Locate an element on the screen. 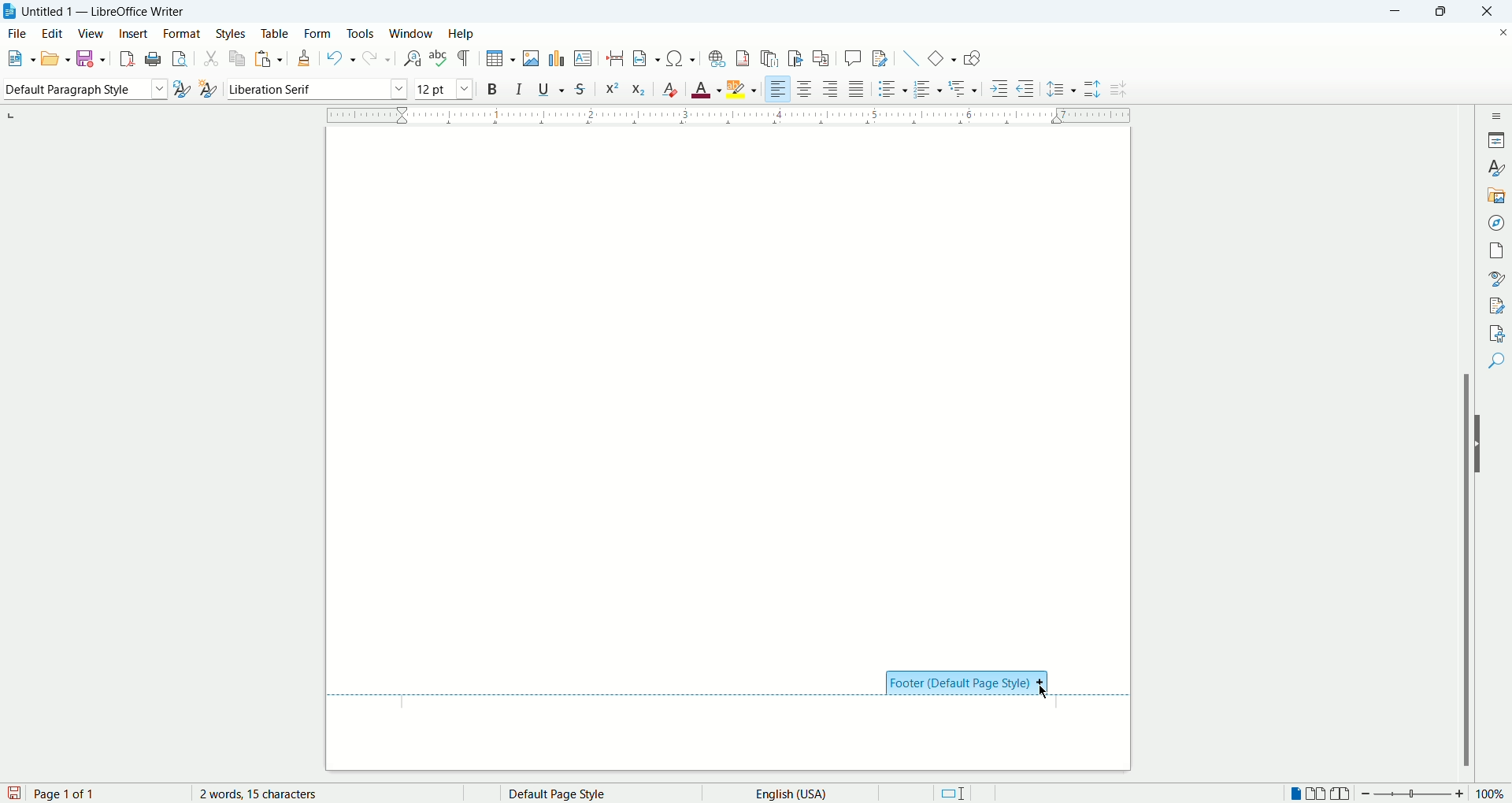 The width and height of the screenshot is (1512, 803). insert page break is located at coordinates (617, 58).